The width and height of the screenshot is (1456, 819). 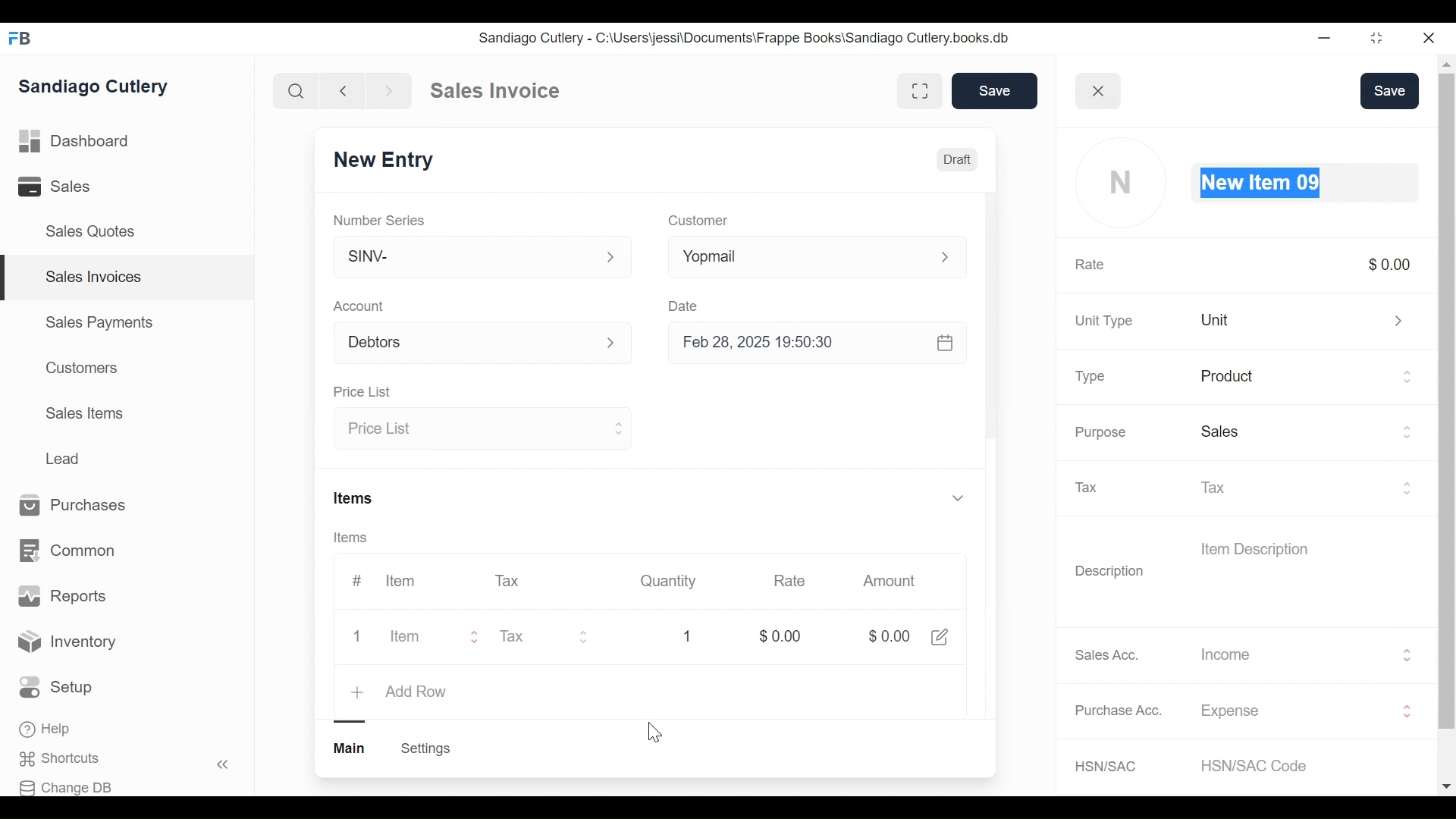 What do you see at coordinates (62, 596) in the screenshot?
I see `Reports` at bounding box center [62, 596].